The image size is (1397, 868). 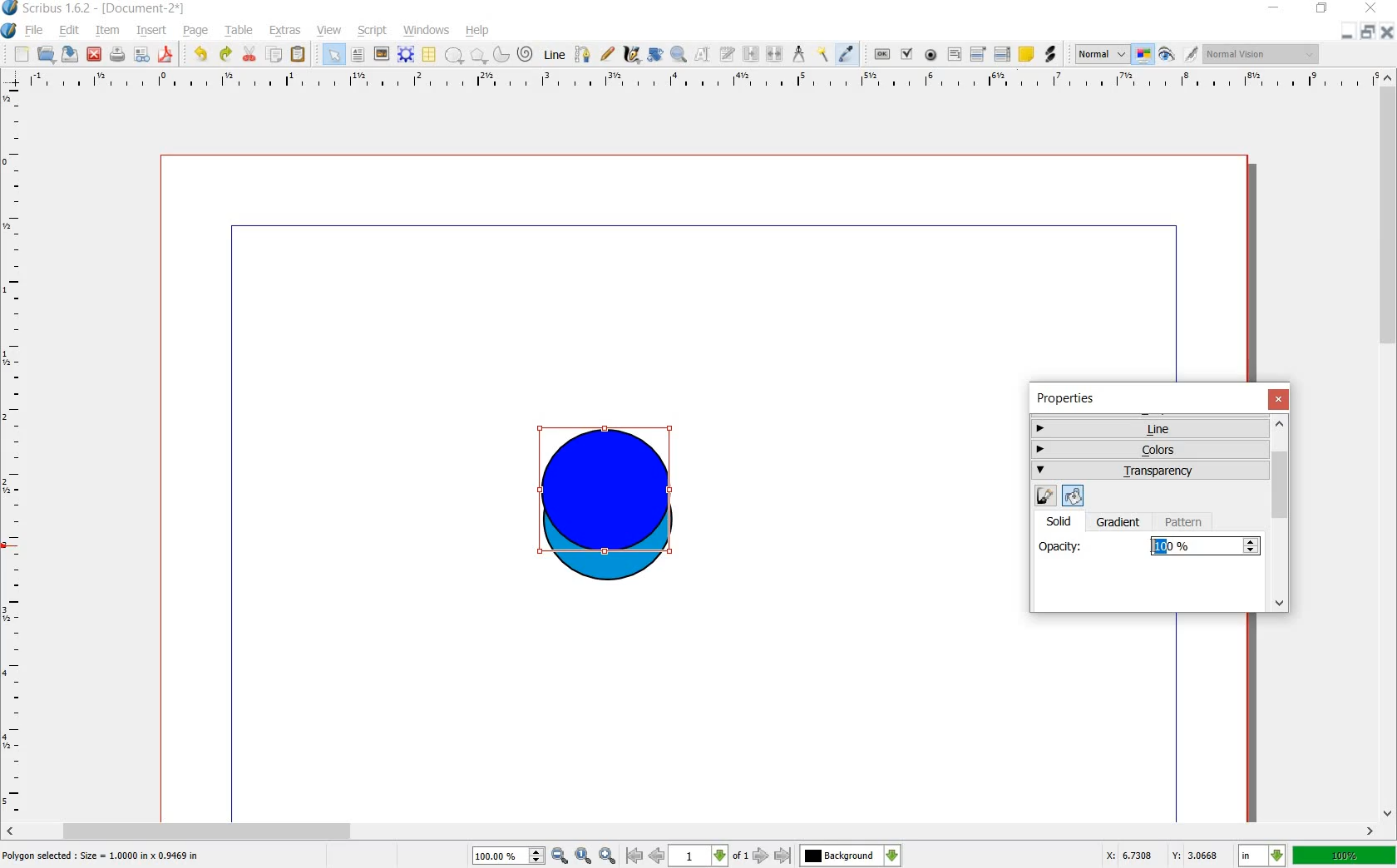 I want to click on pdf radio button, so click(x=930, y=55).